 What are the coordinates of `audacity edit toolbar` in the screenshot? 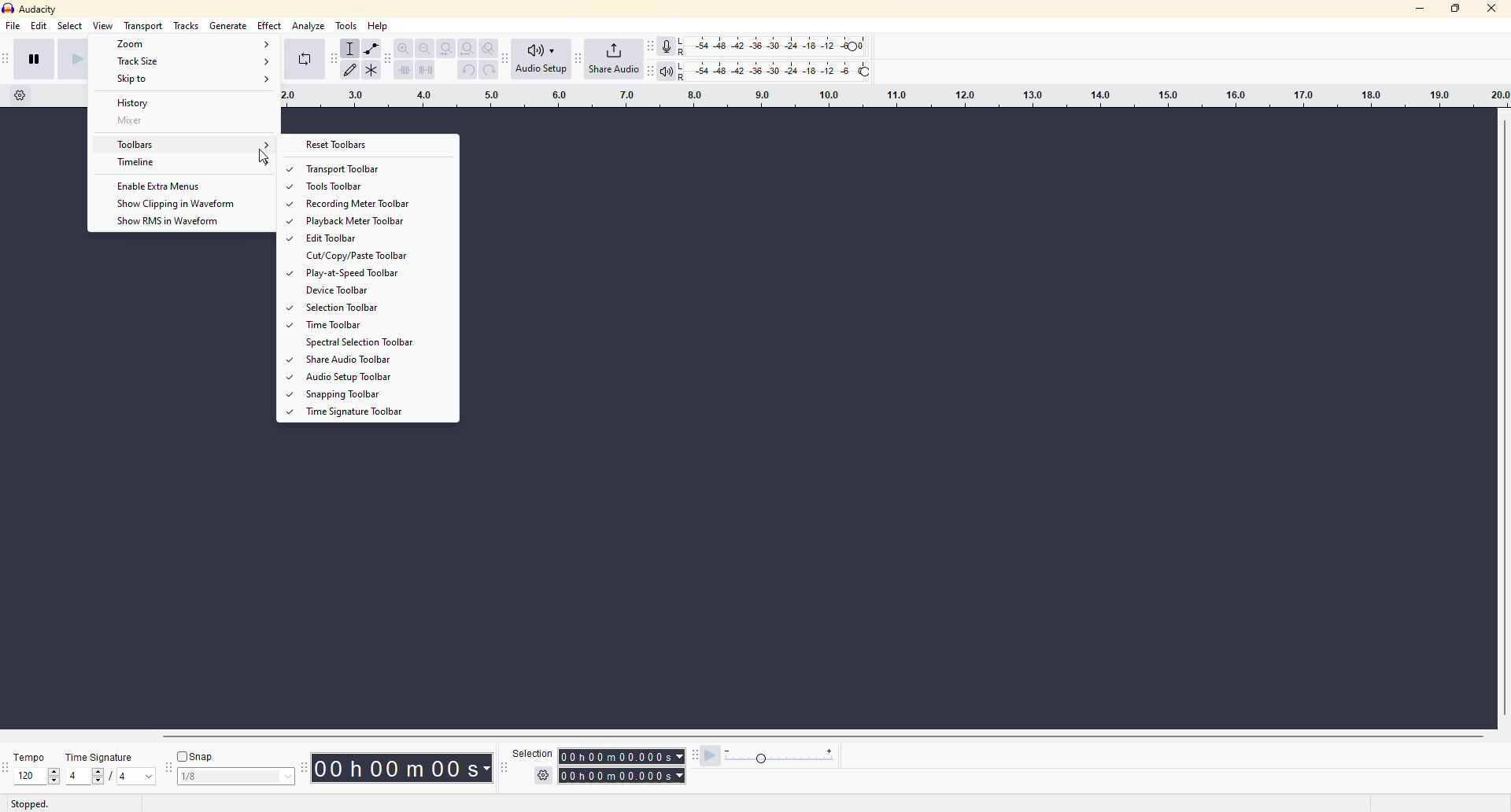 It's located at (390, 57).